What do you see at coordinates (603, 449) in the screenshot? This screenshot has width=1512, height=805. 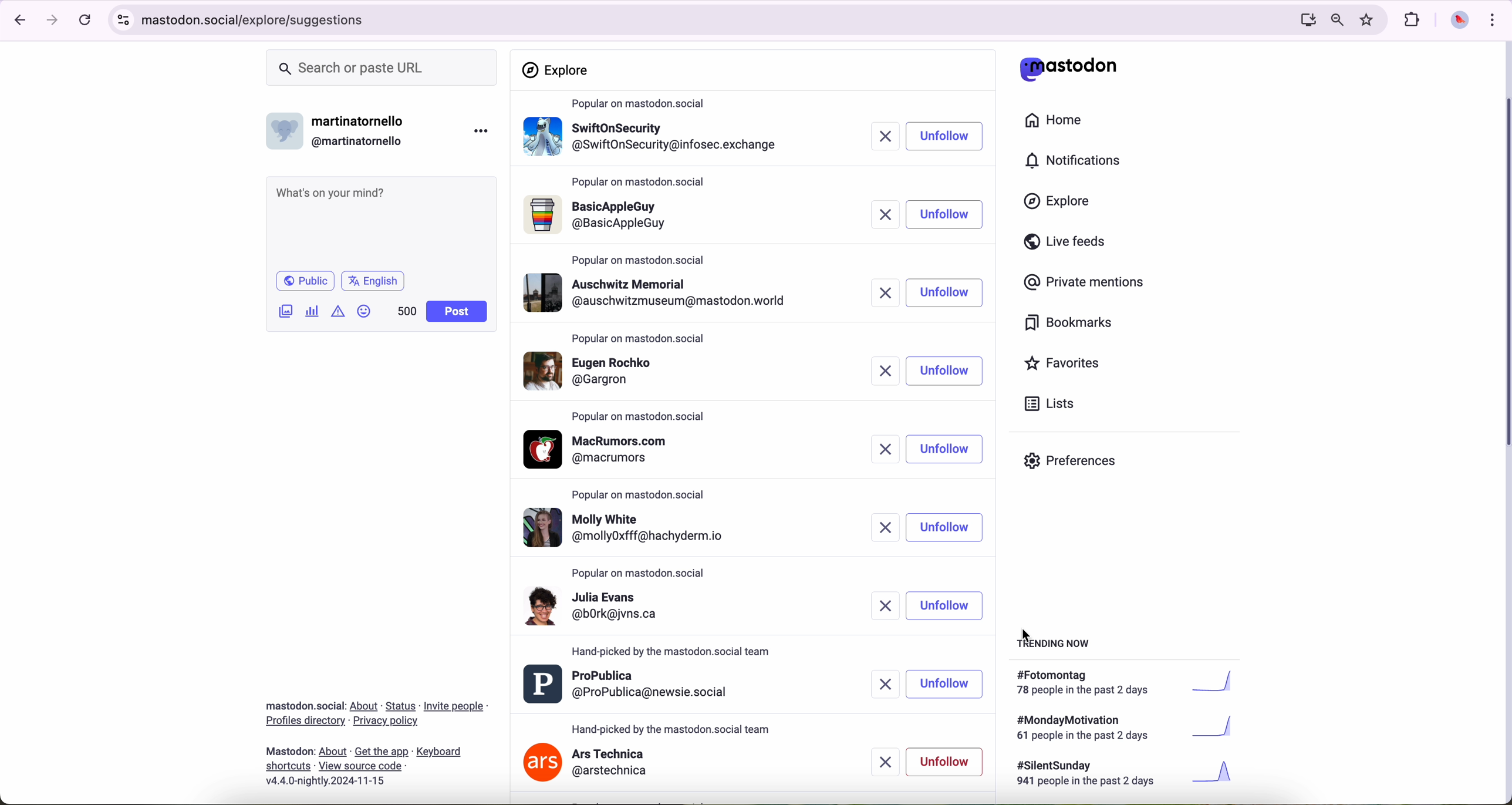 I see `profile` at bounding box center [603, 449].